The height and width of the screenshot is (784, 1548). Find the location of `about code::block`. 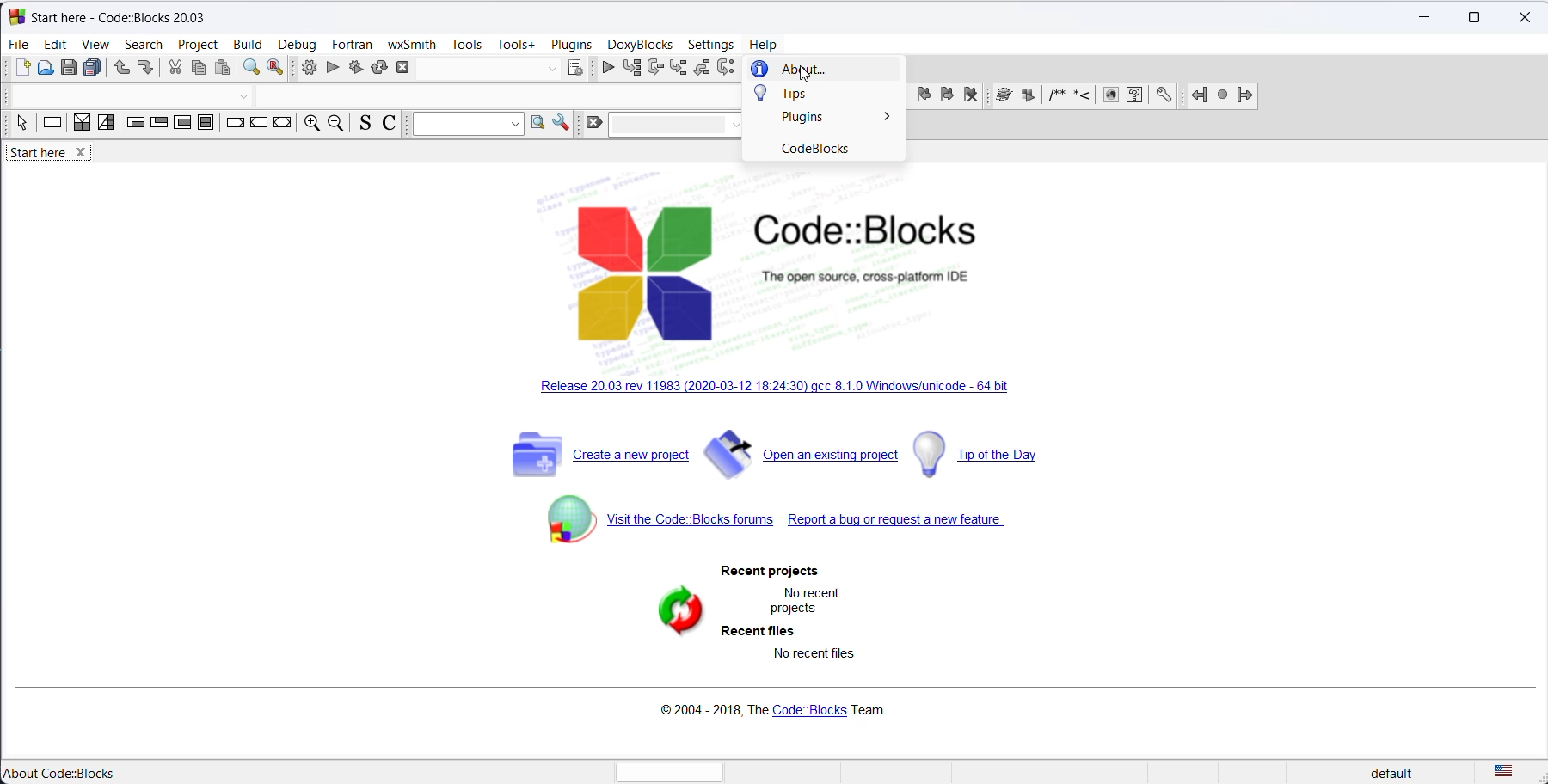

about code::block is located at coordinates (65, 772).